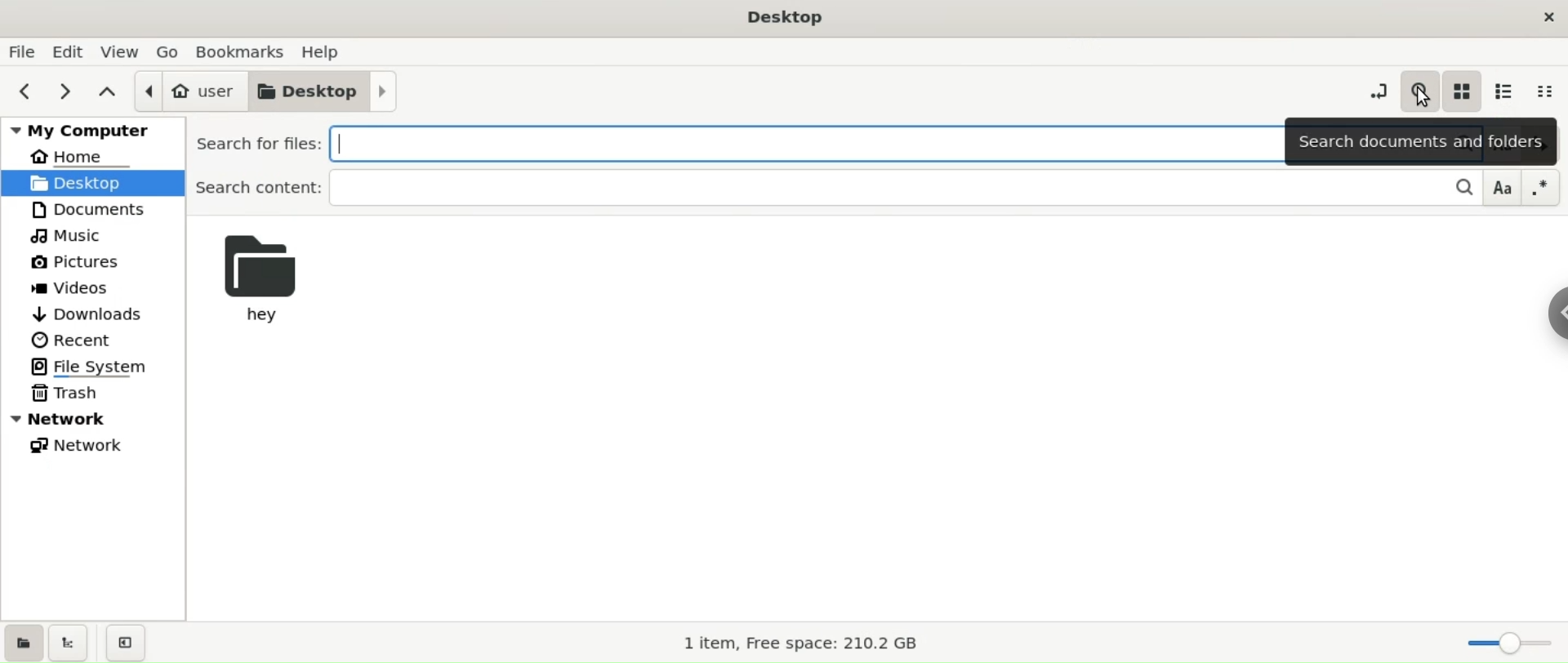 This screenshot has width=1568, height=663. Describe the element at coordinates (1373, 90) in the screenshot. I see `toggle location entry` at that location.